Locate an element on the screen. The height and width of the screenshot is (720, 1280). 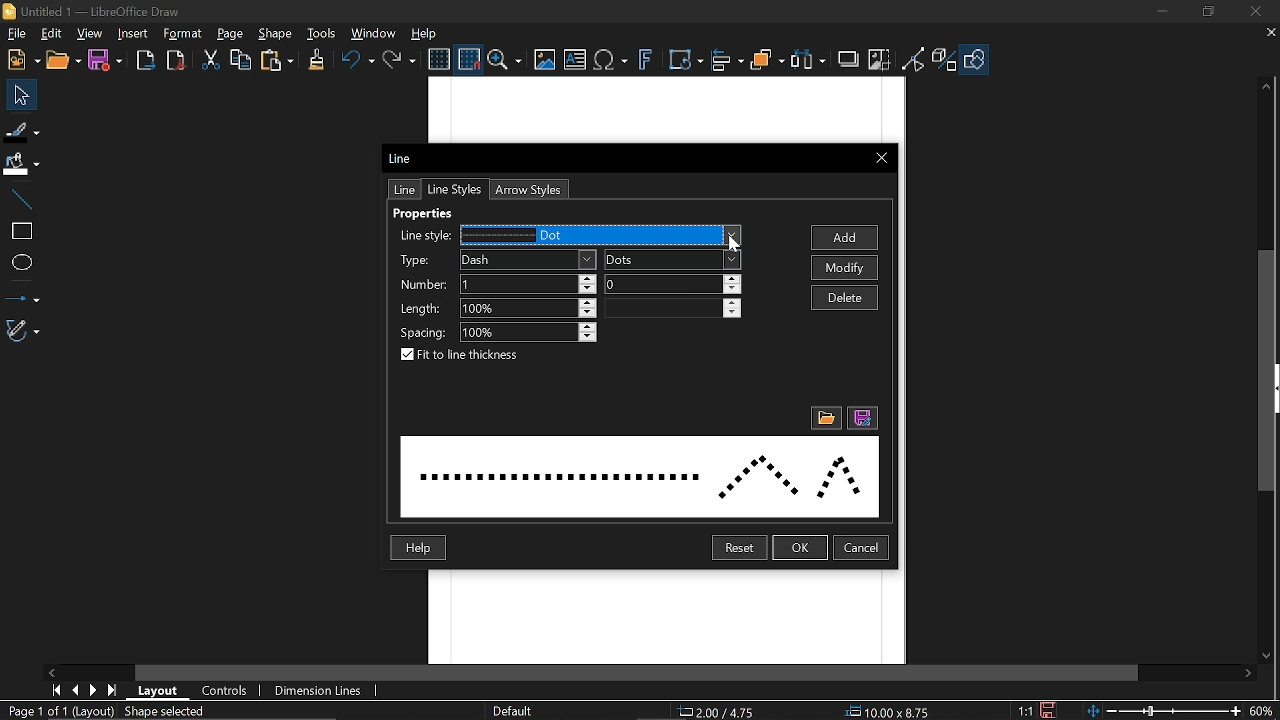
Spacing: is located at coordinates (424, 330).